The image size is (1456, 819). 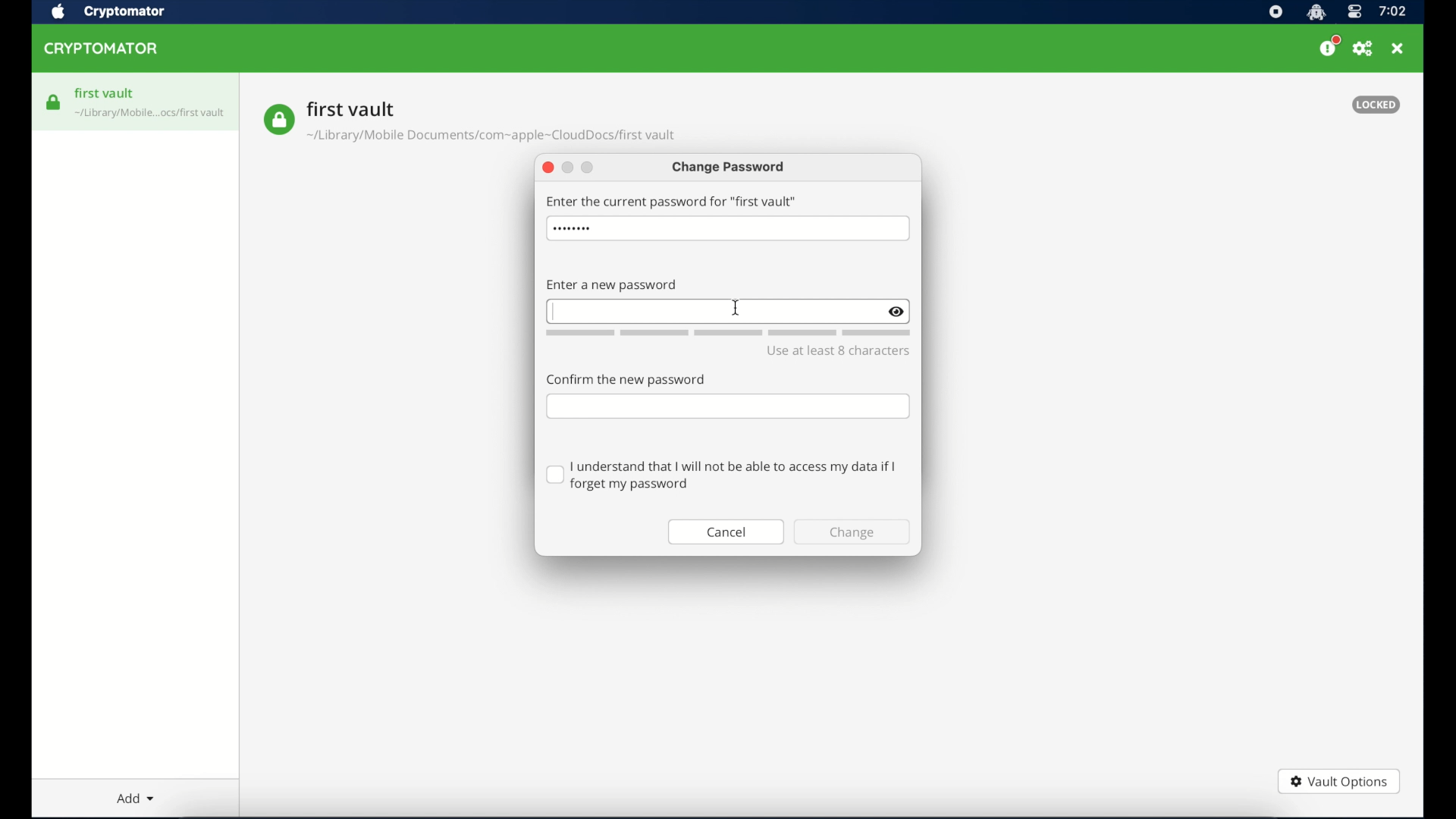 I want to click on close, so click(x=548, y=168).